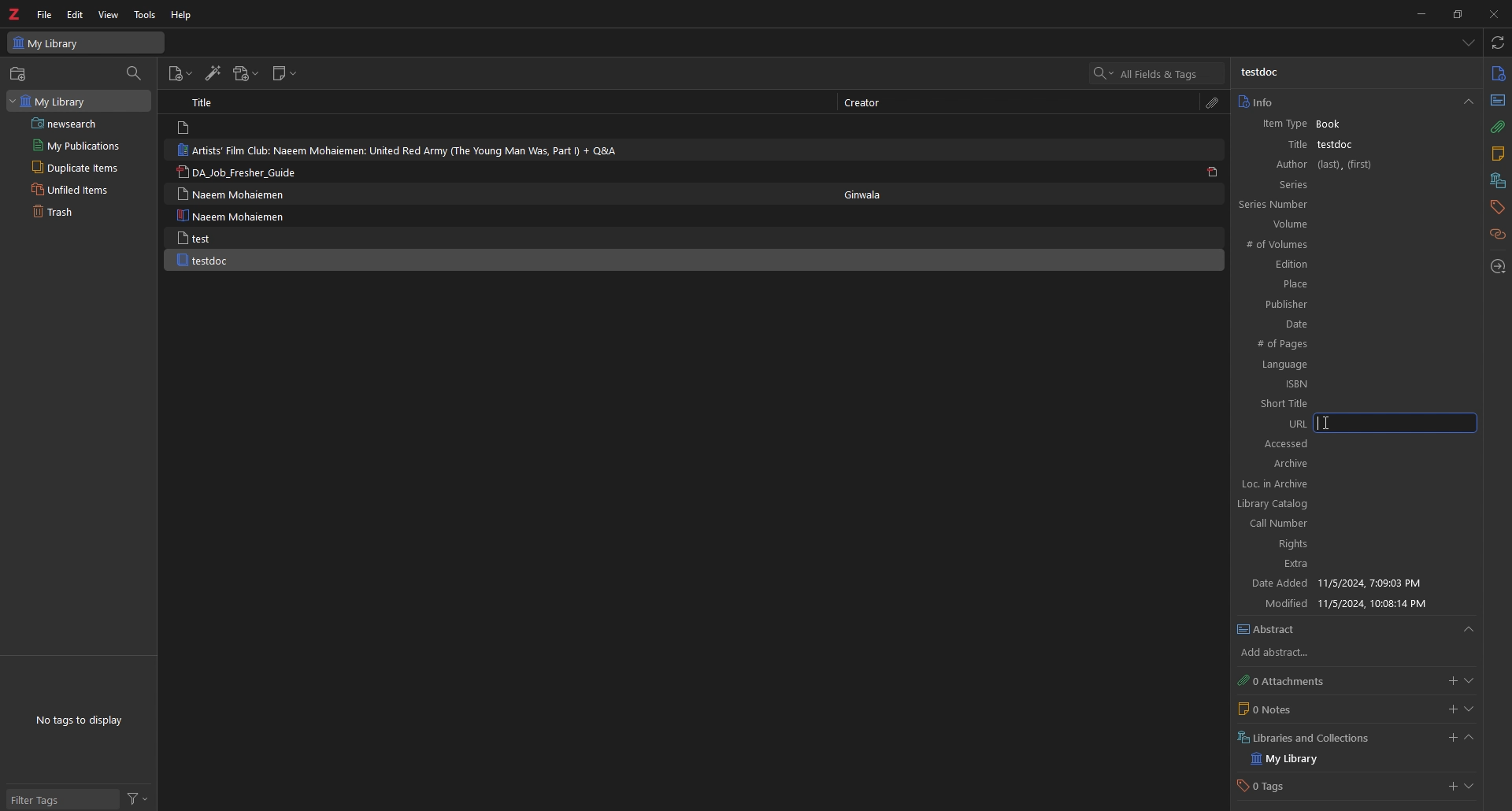  What do you see at coordinates (1497, 127) in the screenshot?
I see `attachment` at bounding box center [1497, 127].